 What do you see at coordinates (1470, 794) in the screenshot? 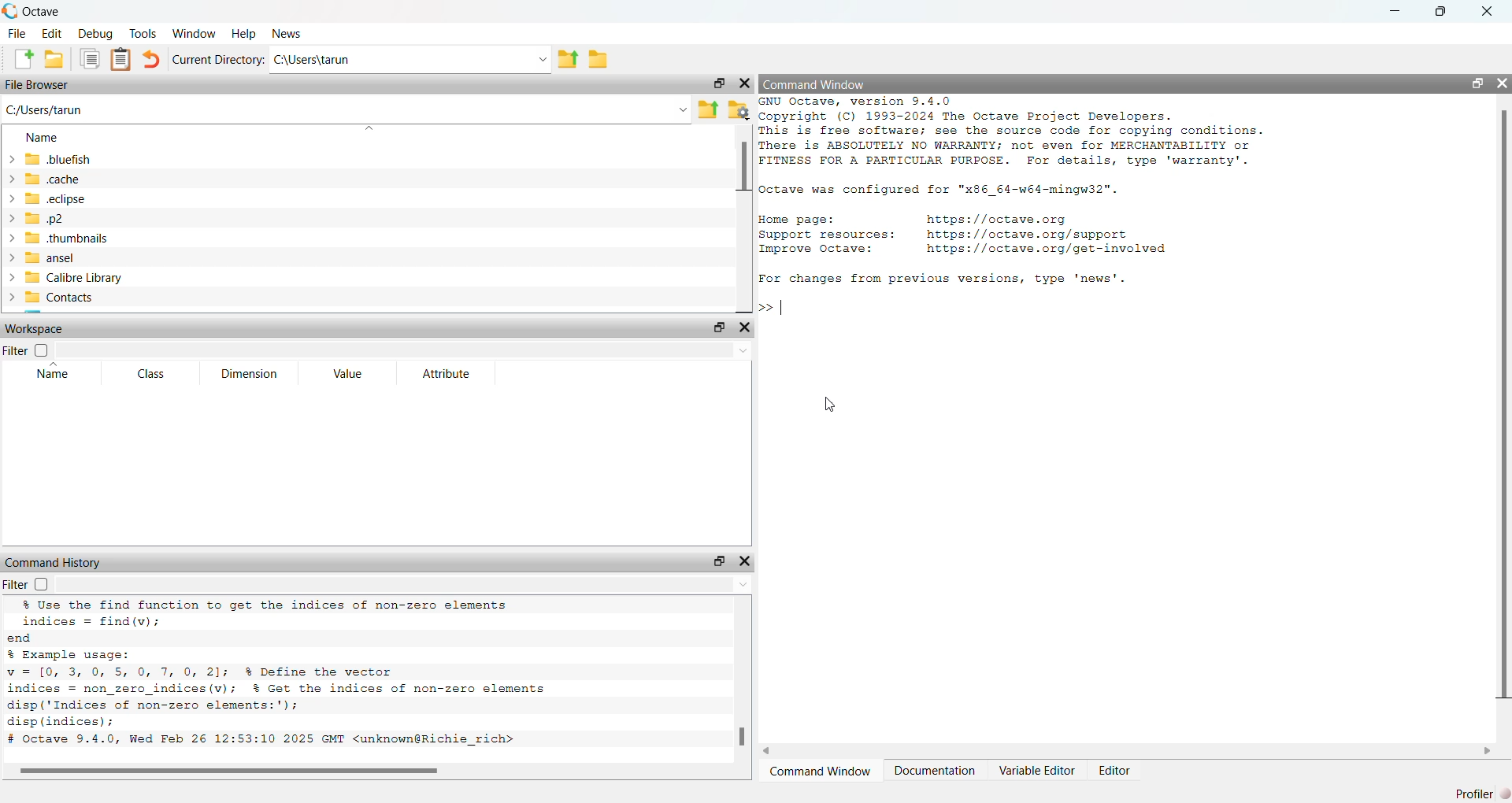
I see `profiler` at bounding box center [1470, 794].